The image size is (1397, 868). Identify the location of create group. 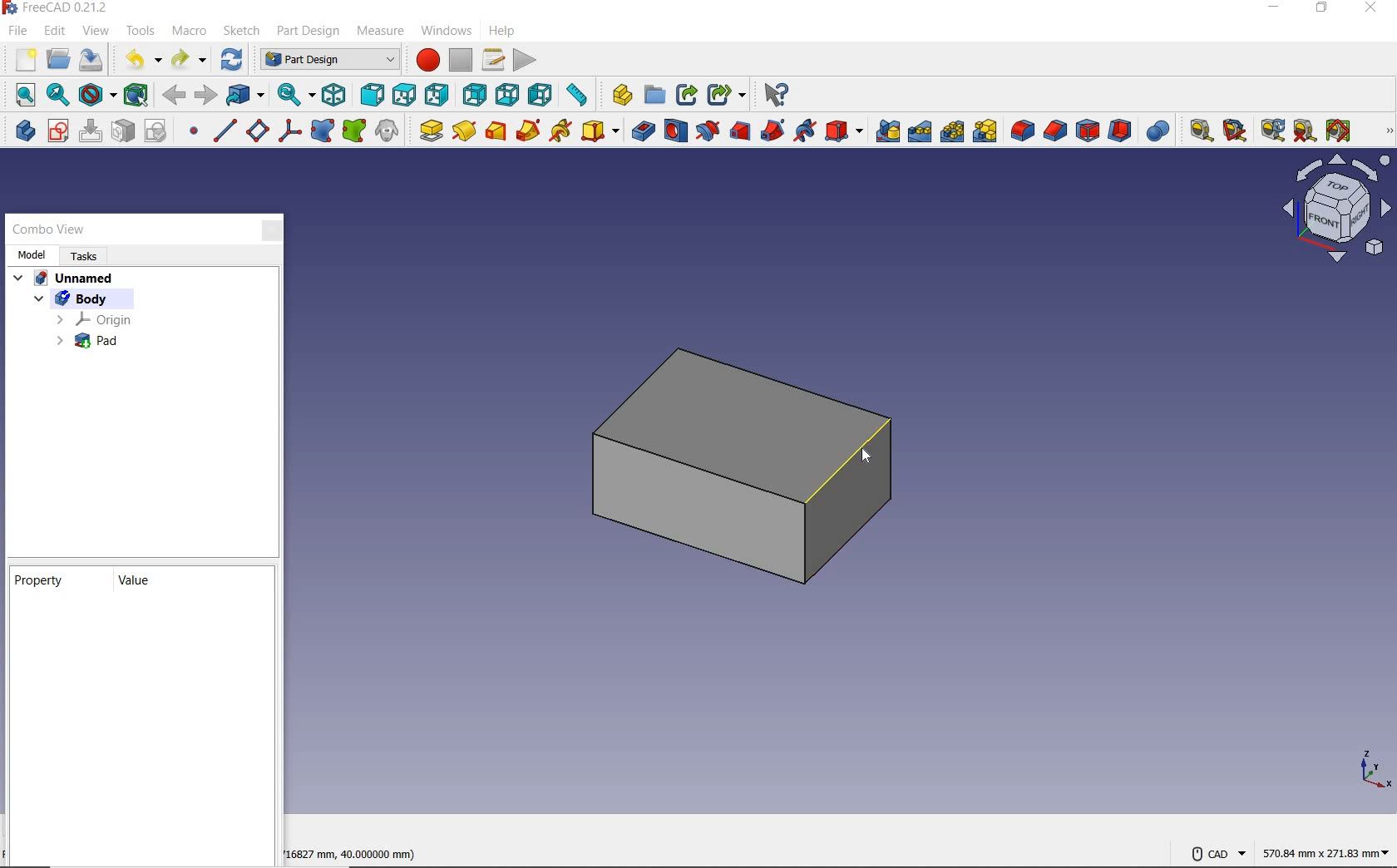
(653, 96).